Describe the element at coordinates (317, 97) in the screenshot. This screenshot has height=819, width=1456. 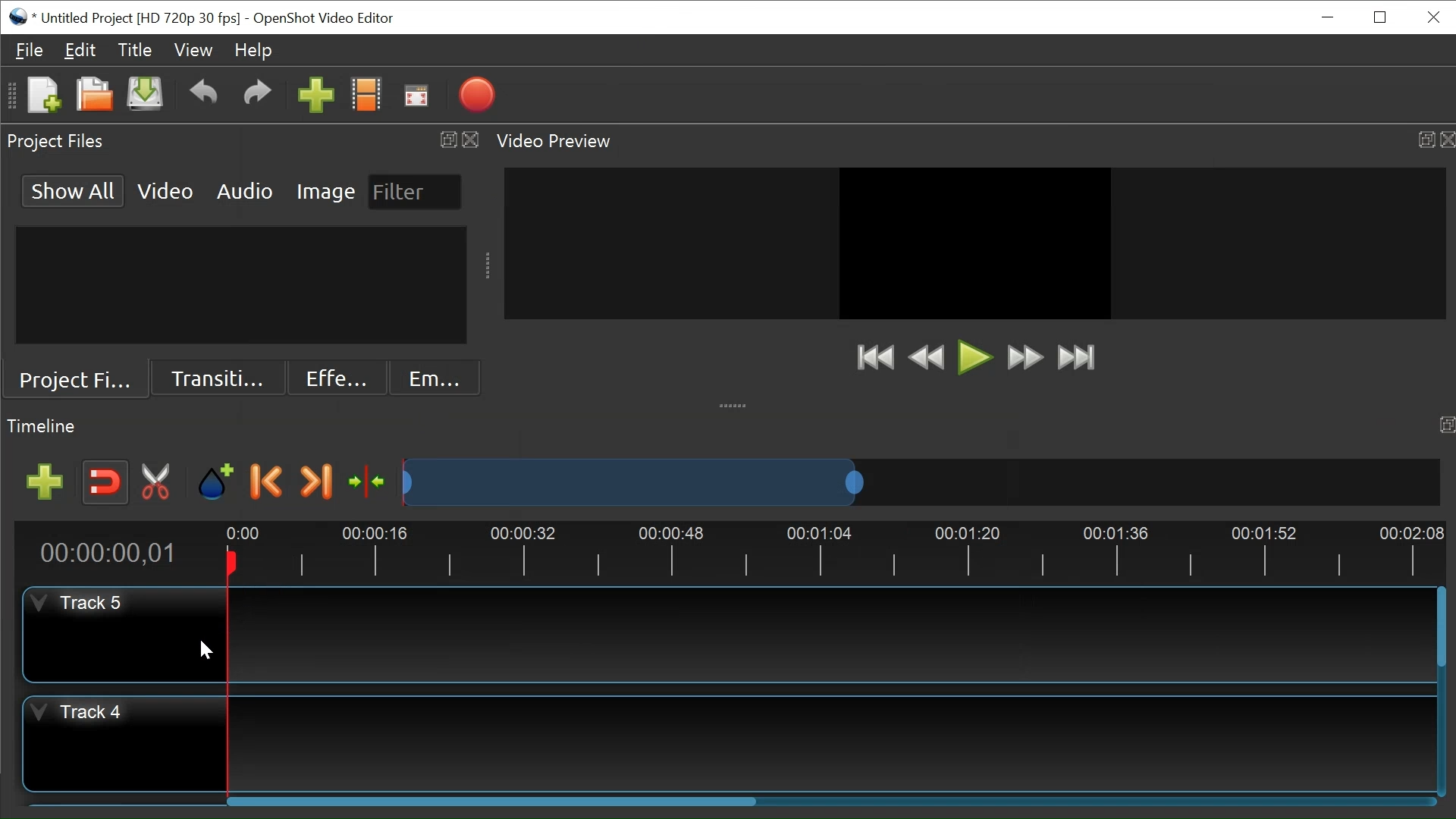
I see `Import Files` at that location.